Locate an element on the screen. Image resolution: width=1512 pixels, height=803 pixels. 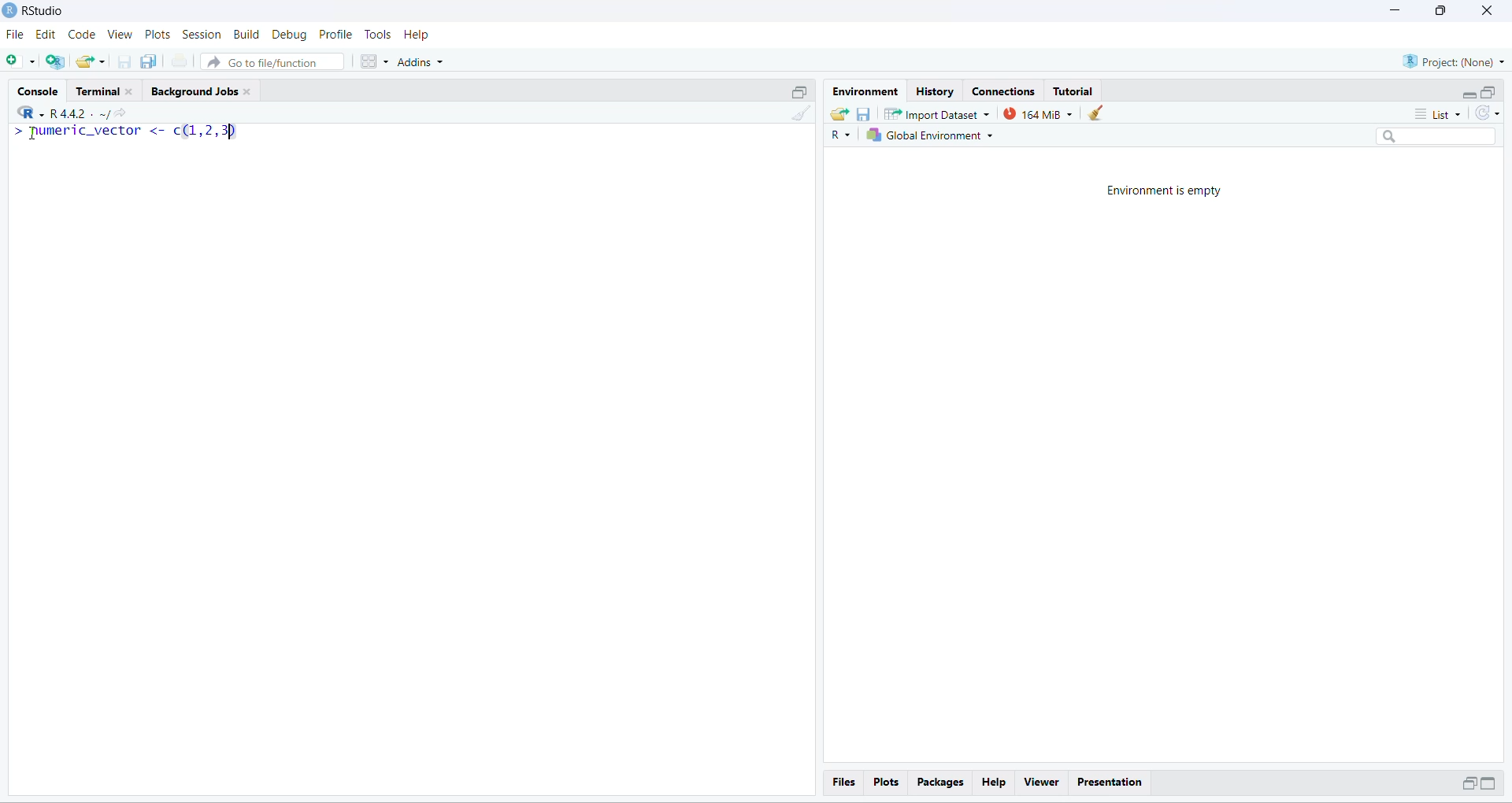
Plots is located at coordinates (159, 35).